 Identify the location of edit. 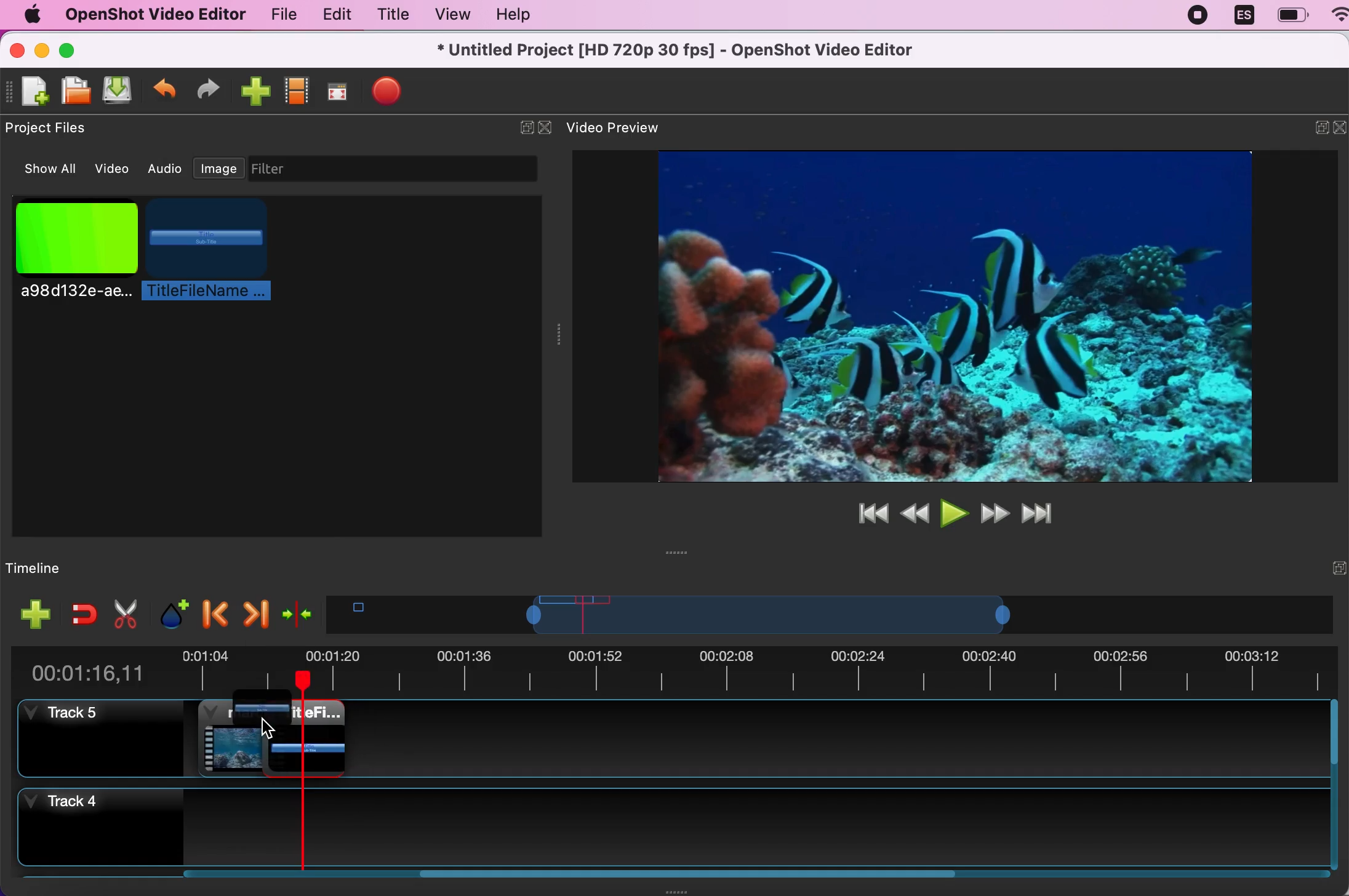
(334, 15).